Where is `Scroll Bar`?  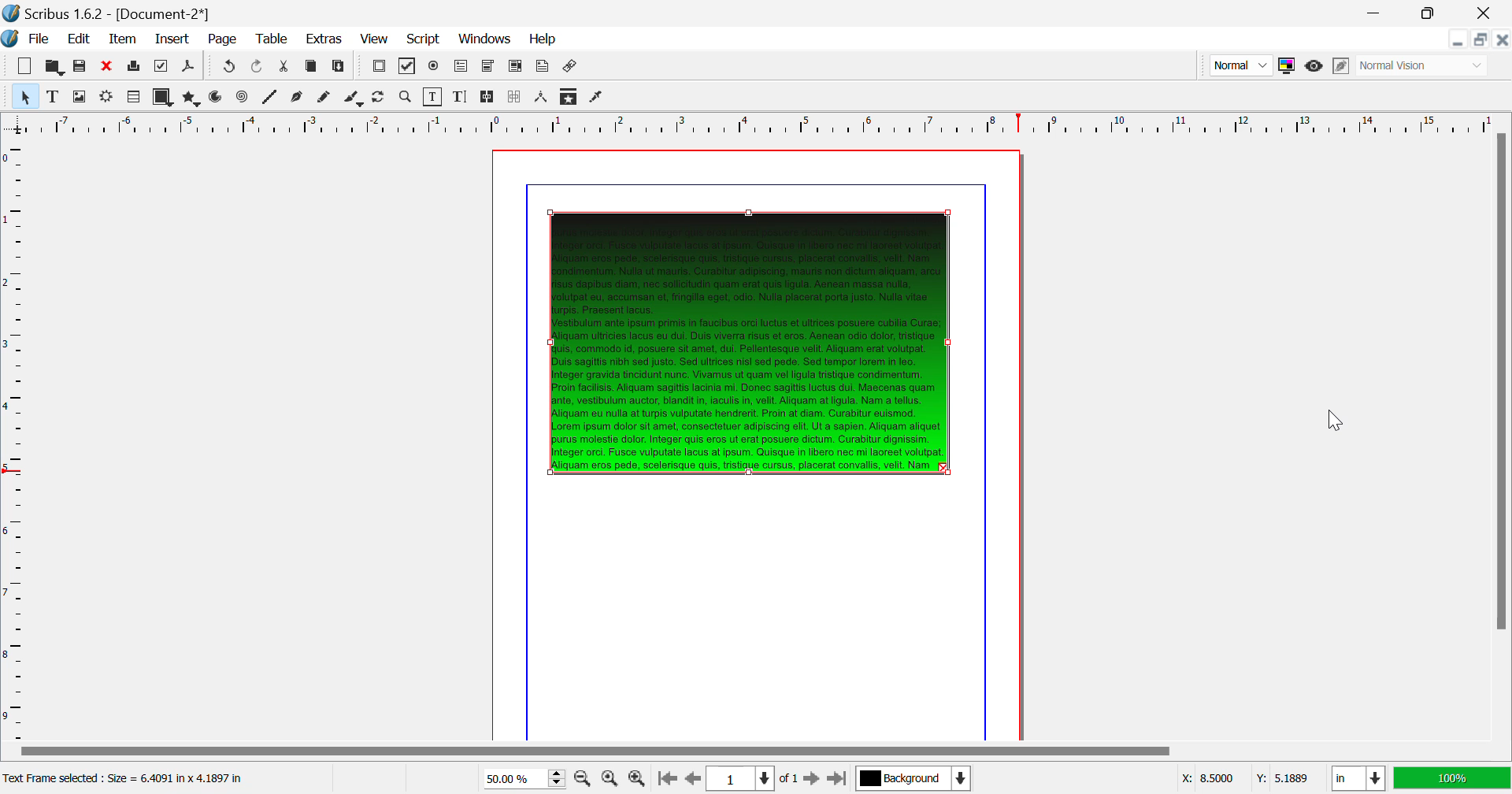
Scroll Bar is located at coordinates (755, 752).